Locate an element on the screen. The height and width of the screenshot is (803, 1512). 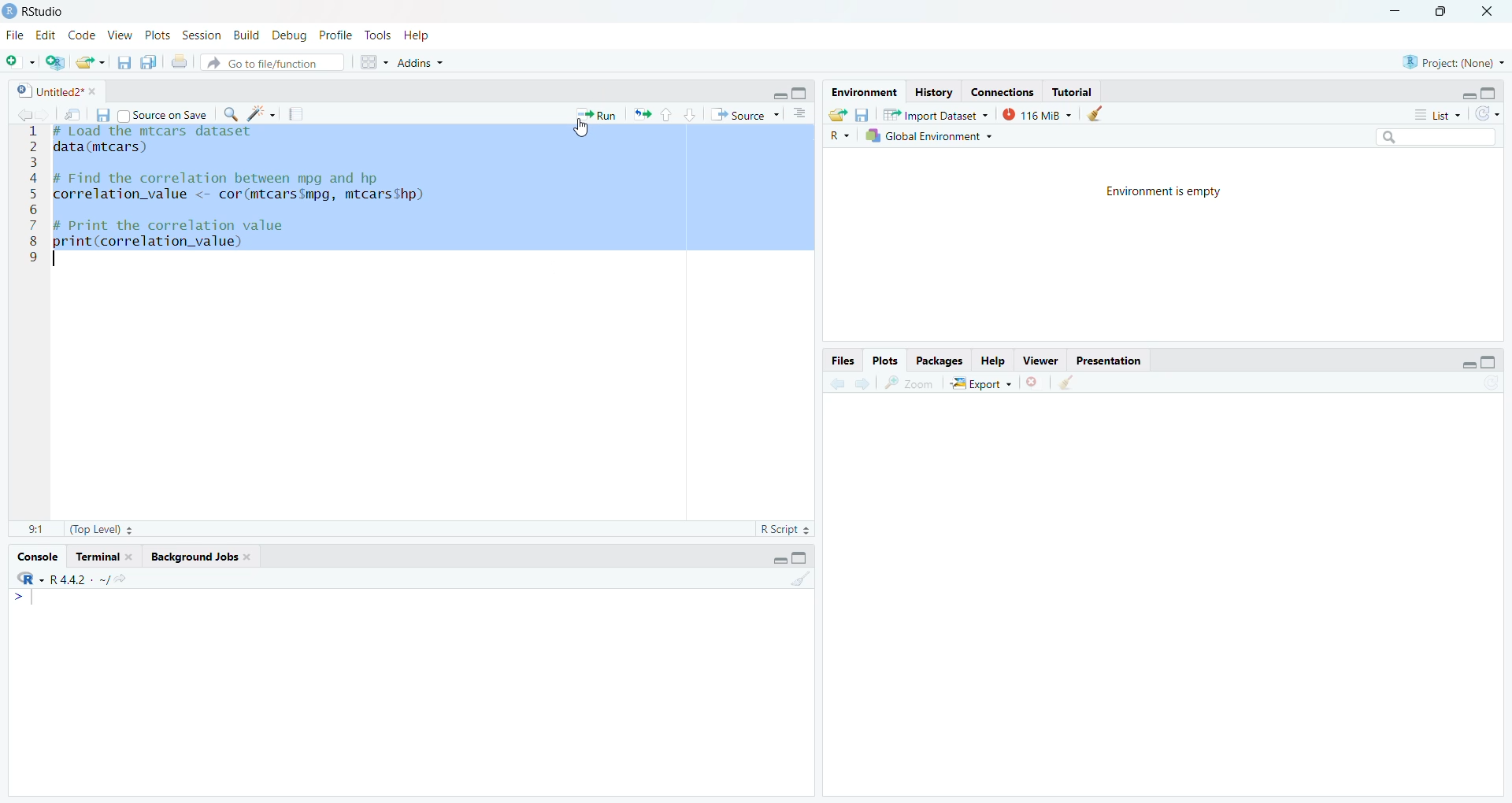
Go forward to the next source location (Ctrl + F10) is located at coordinates (863, 383).